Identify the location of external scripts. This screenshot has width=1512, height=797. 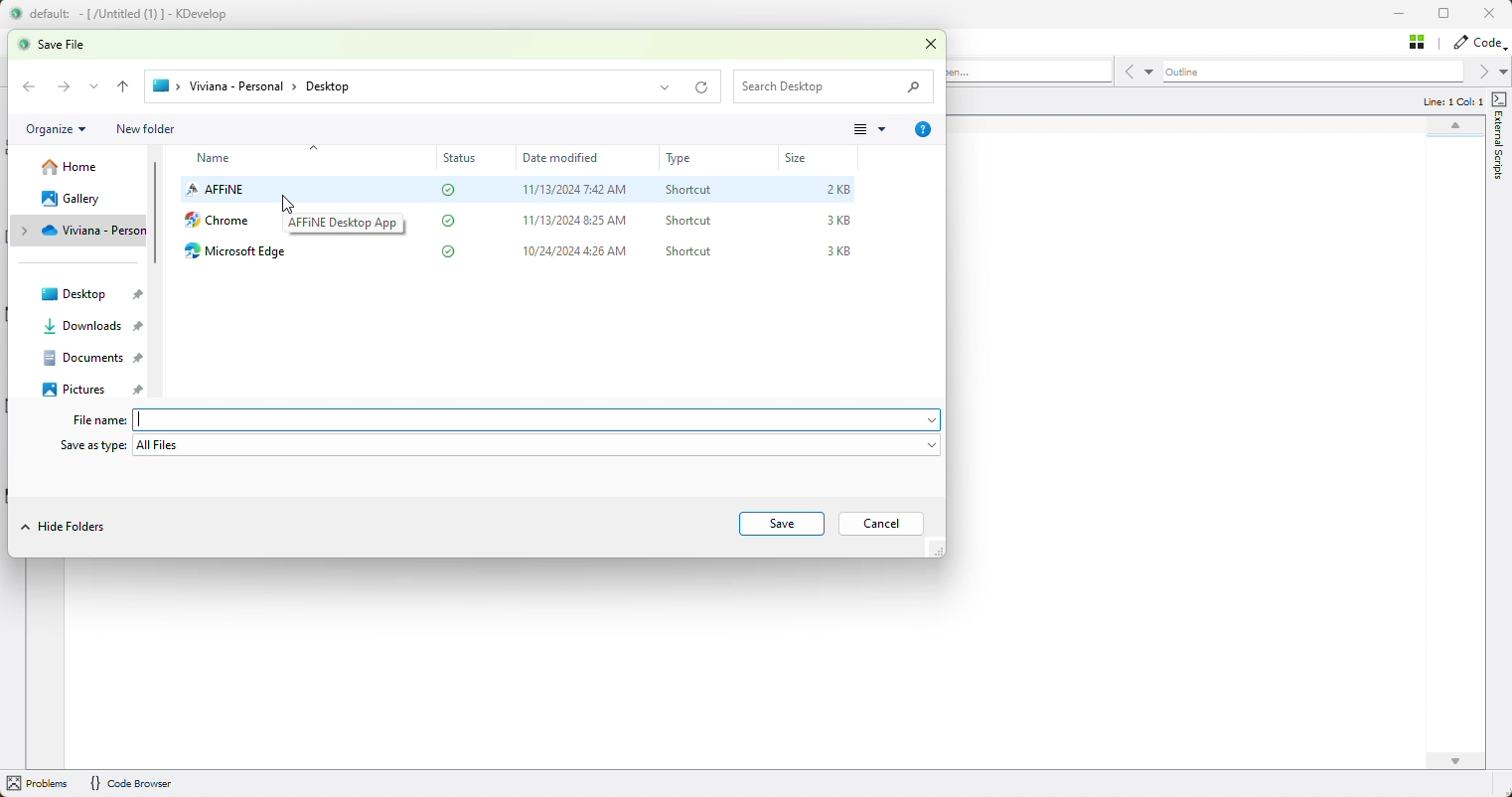
(1500, 137).